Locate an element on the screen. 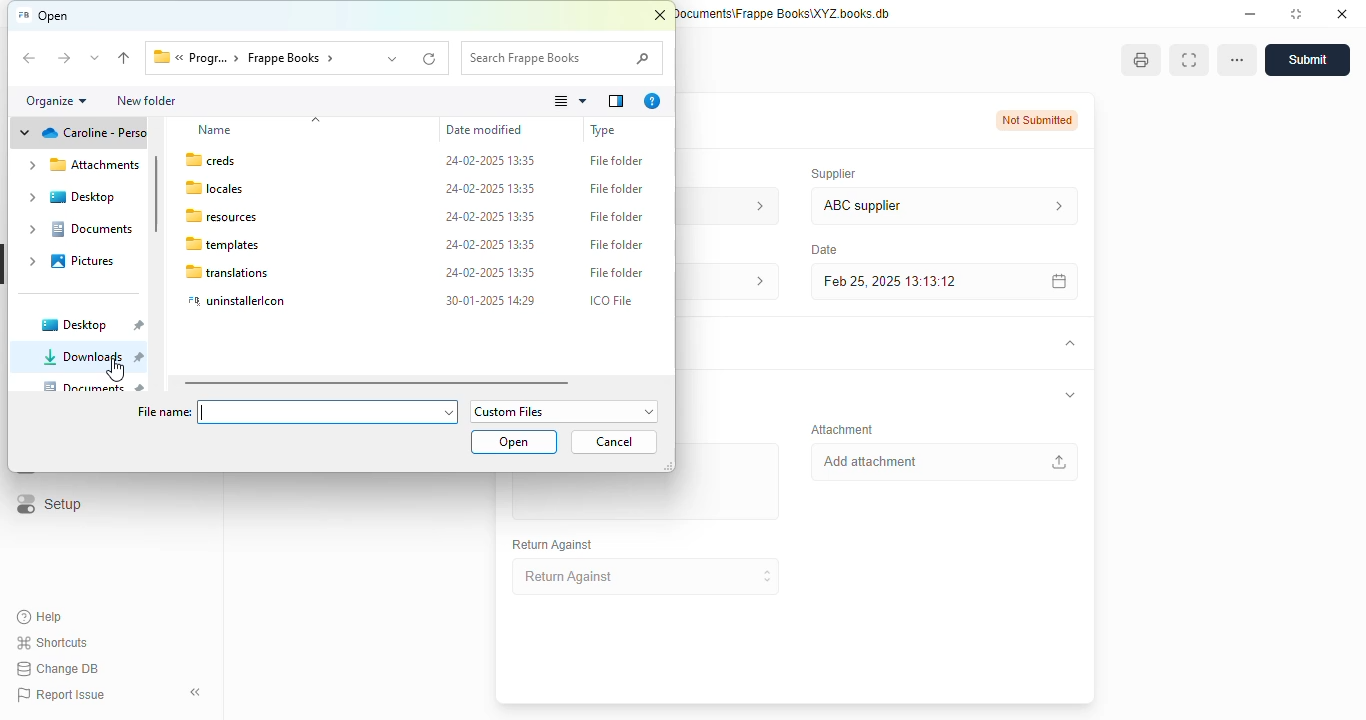  desktop is located at coordinates (90, 325).